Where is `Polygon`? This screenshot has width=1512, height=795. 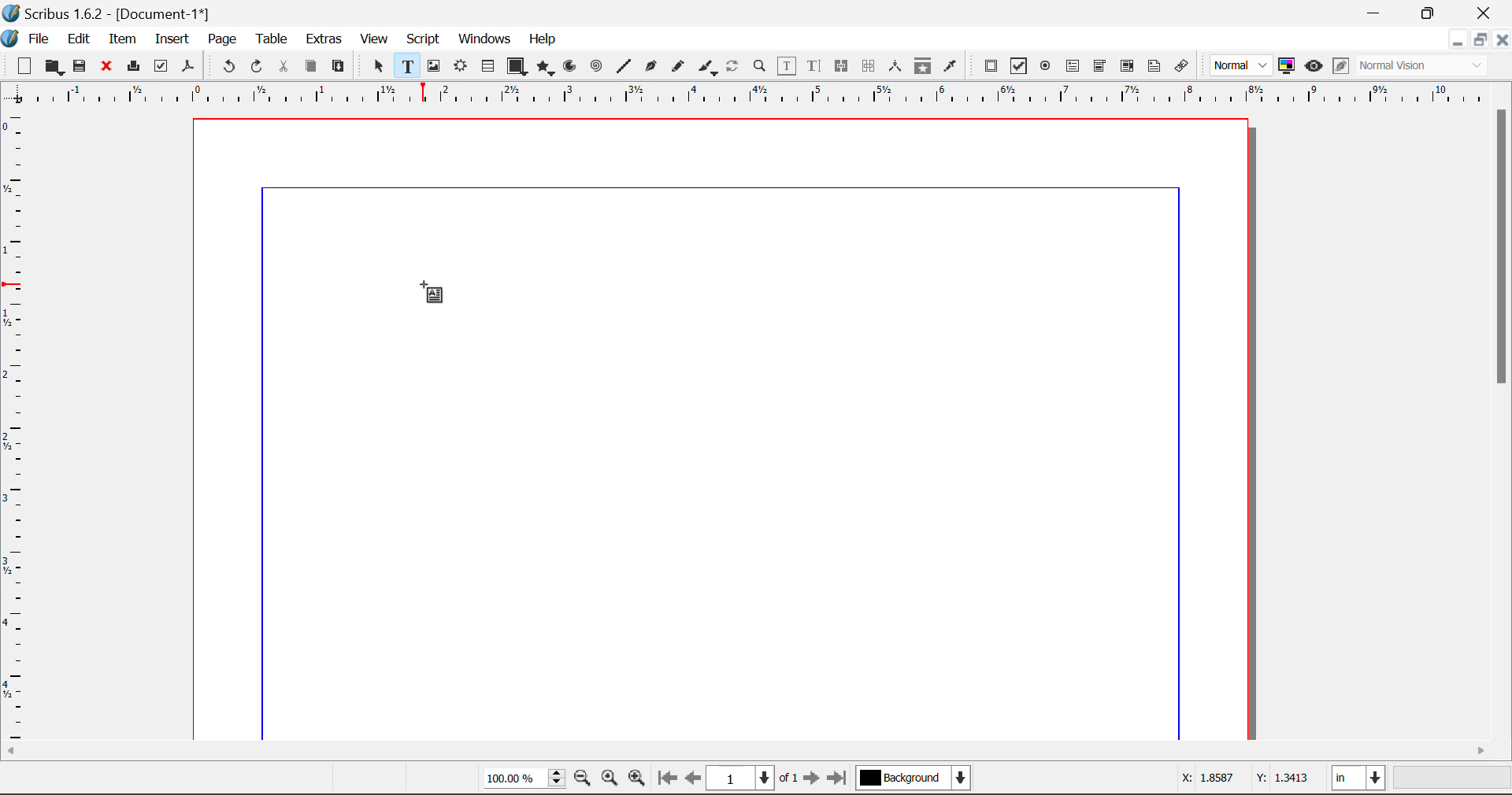
Polygon is located at coordinates (547, 68).